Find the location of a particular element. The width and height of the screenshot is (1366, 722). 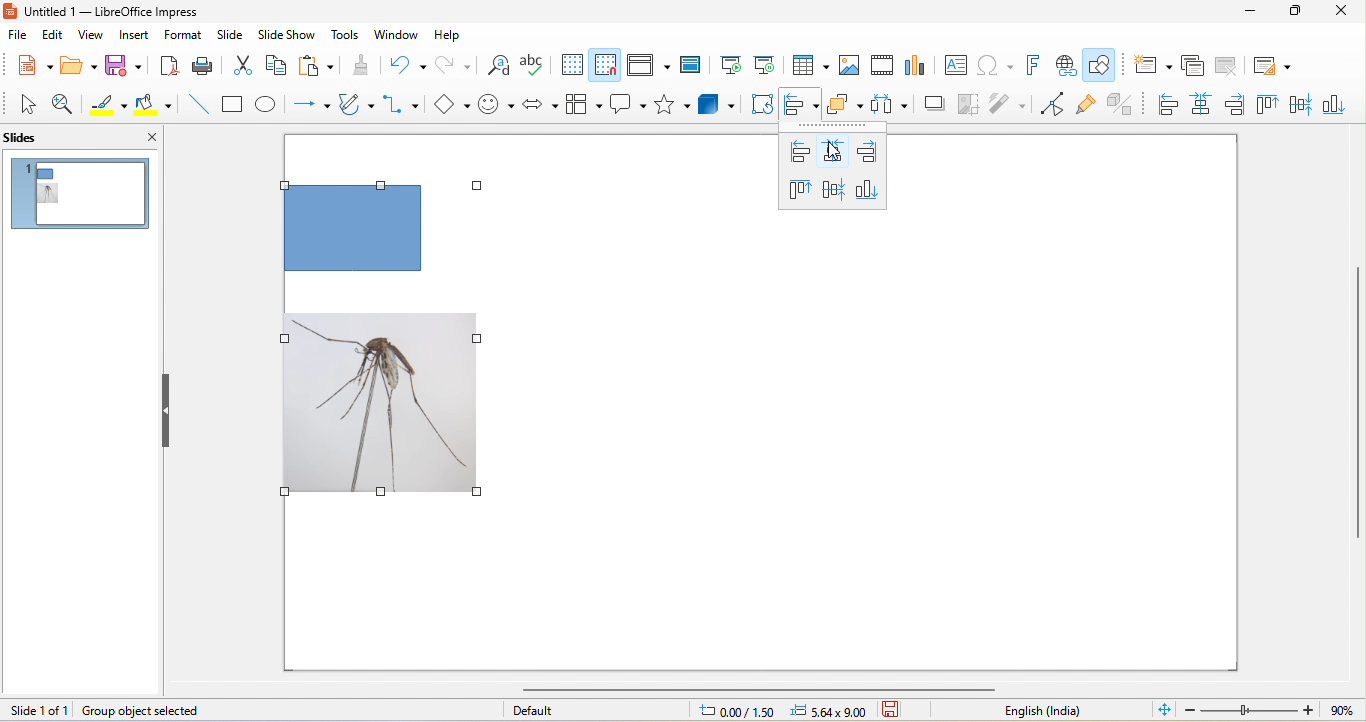

default is located at coordinates (569, 711).